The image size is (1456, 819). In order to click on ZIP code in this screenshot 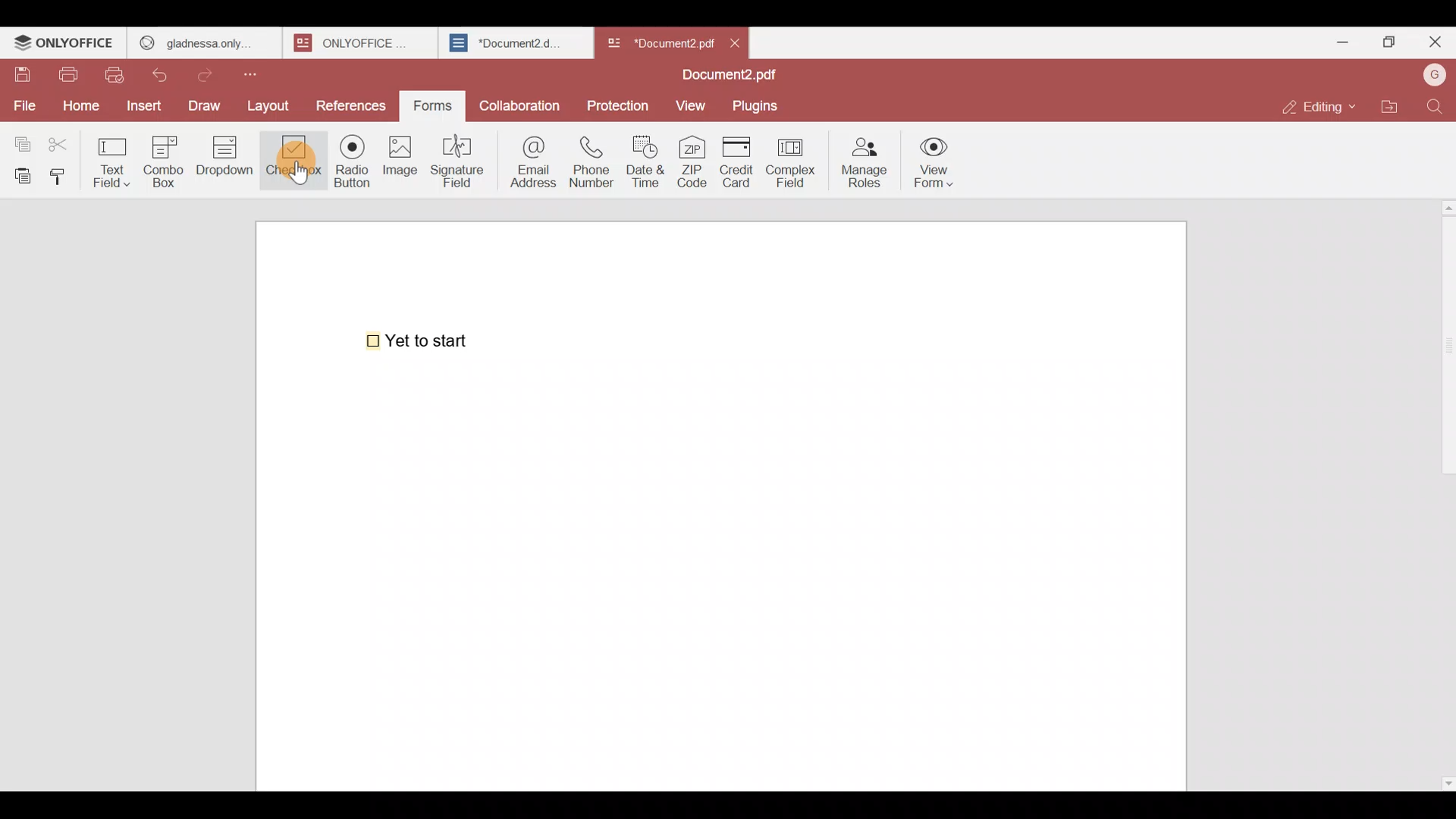, I will do `click(692, 163)`.